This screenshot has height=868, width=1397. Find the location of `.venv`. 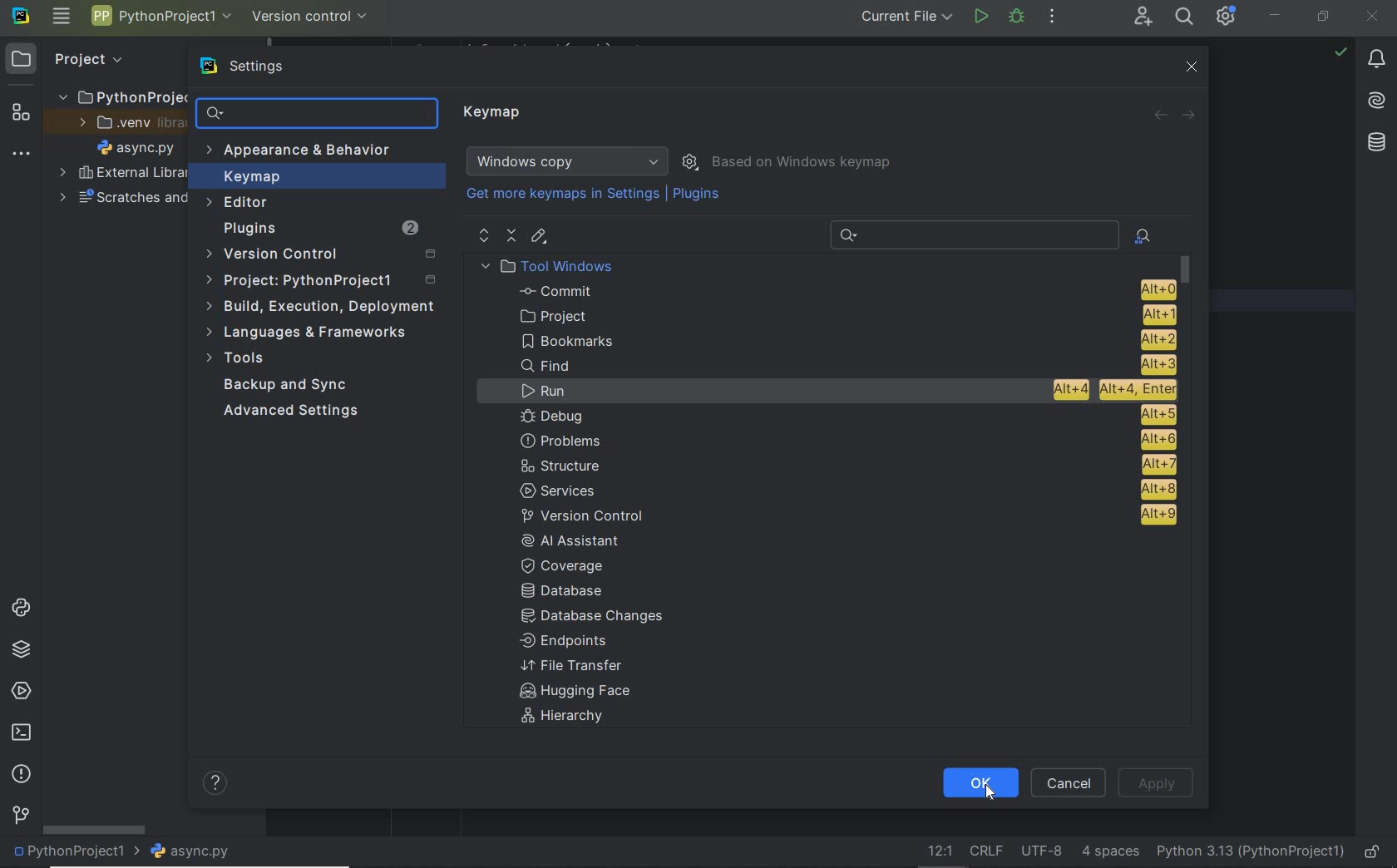

.venv is located at coordinates (124, 123).